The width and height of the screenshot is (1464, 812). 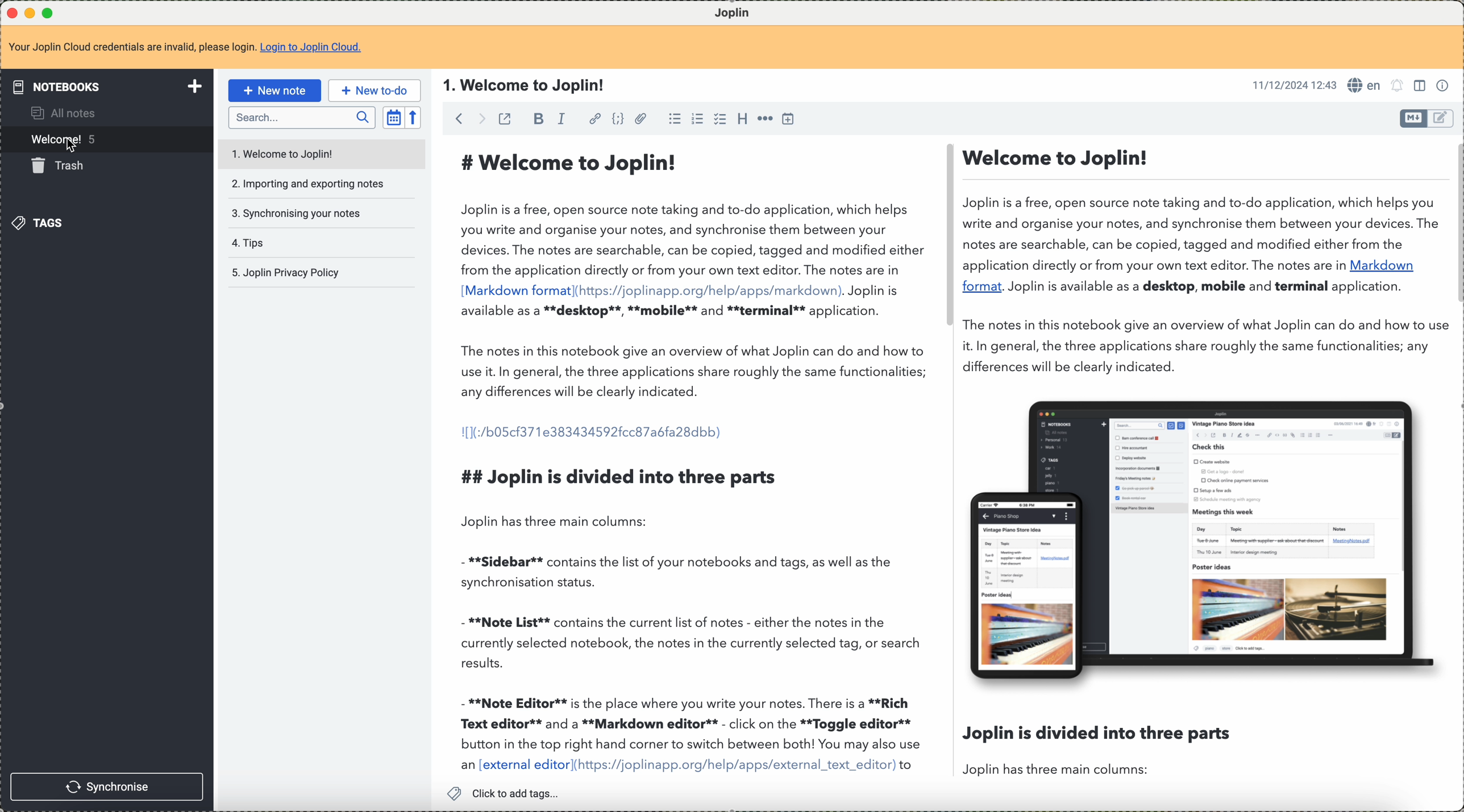 What do you see at coordinates (278, 90) in the screenshot?
I see `new note` at bounding box center [278, 90].